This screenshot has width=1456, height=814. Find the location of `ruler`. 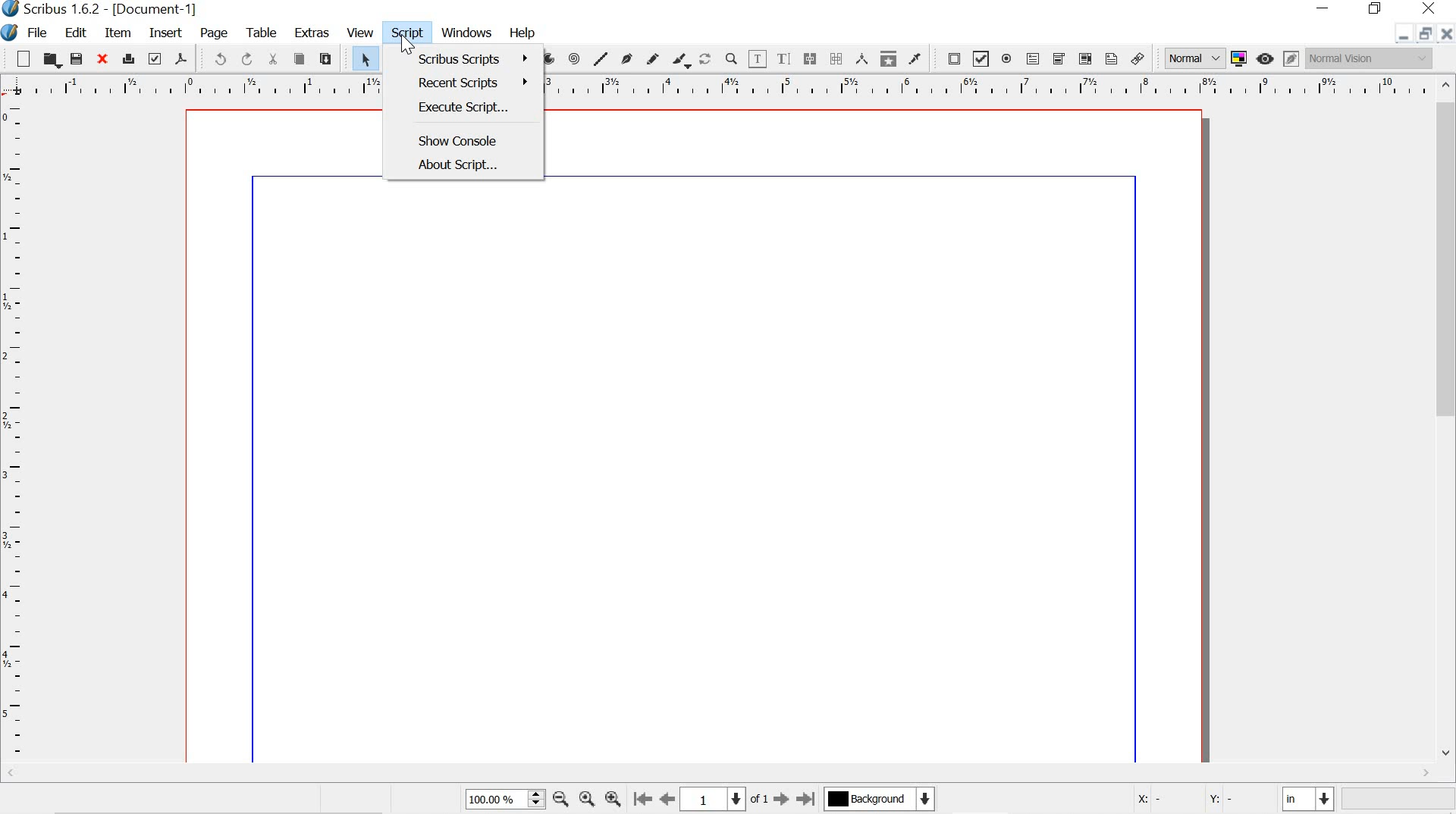

ruler is located at coordinates (14, 433).